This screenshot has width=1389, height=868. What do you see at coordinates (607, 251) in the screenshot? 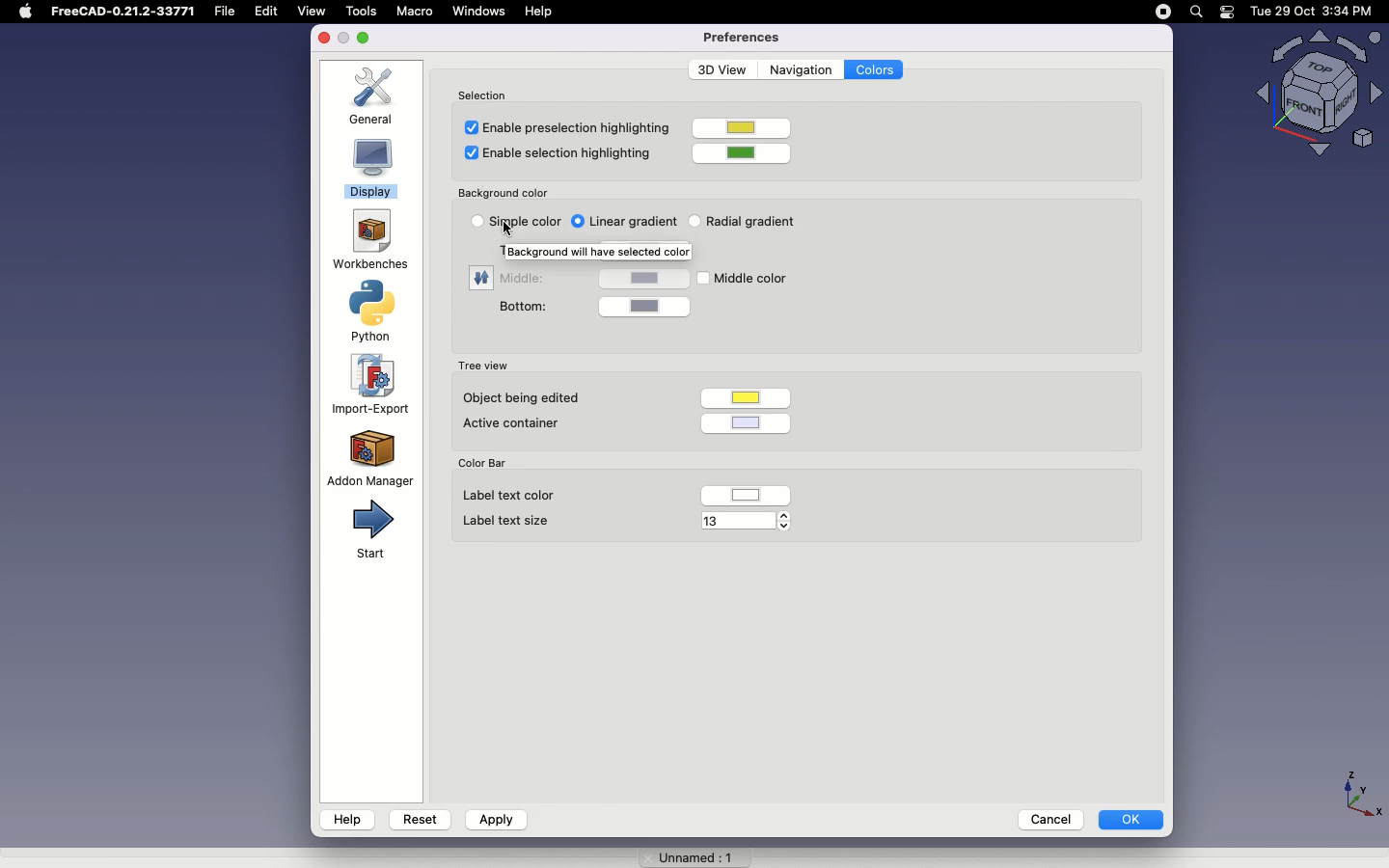
I see `Background will have selected color` at bounding box center [607, 251].